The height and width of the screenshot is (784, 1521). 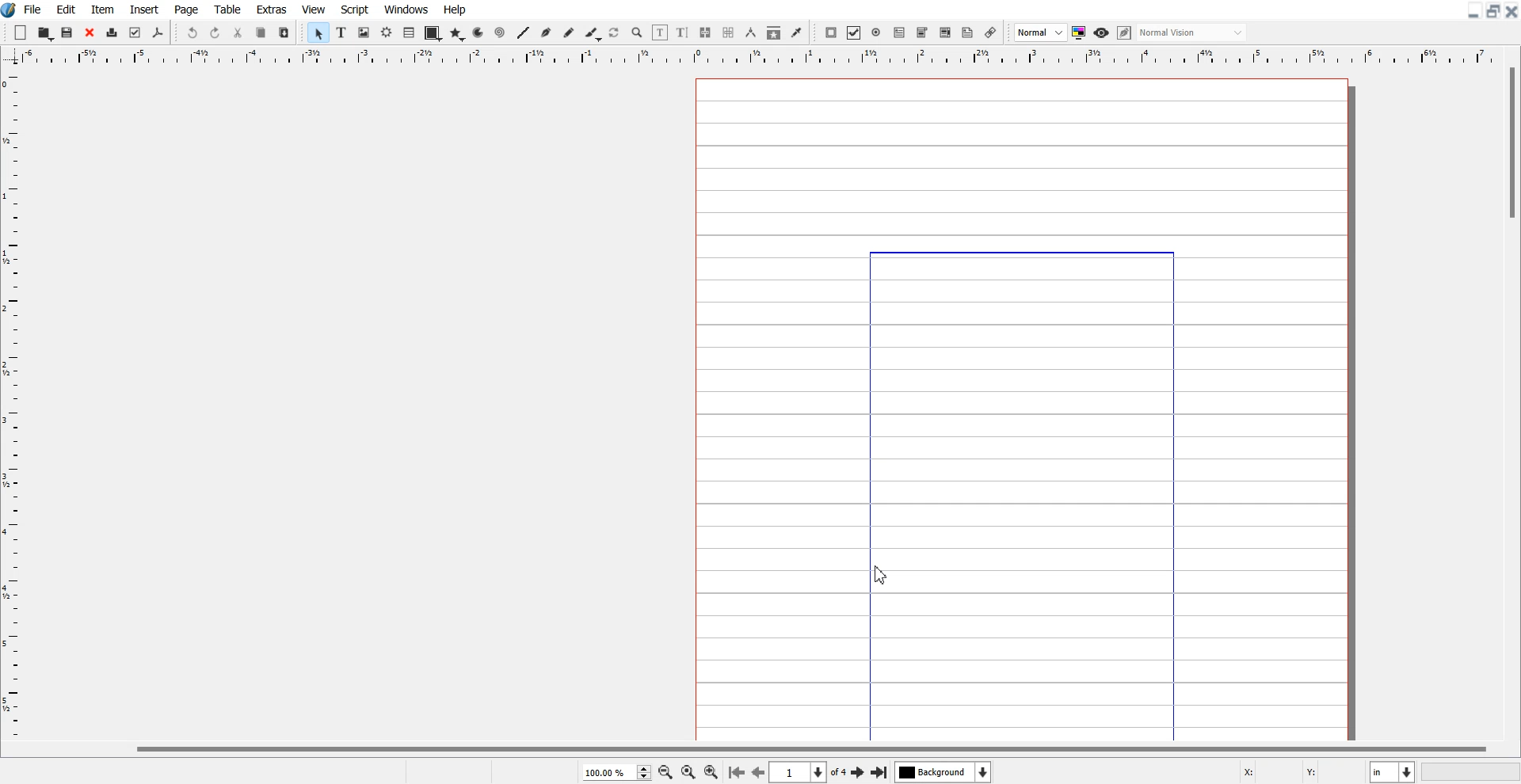 I want to click on Unlink Text Frame, so click(x=729, y=32).